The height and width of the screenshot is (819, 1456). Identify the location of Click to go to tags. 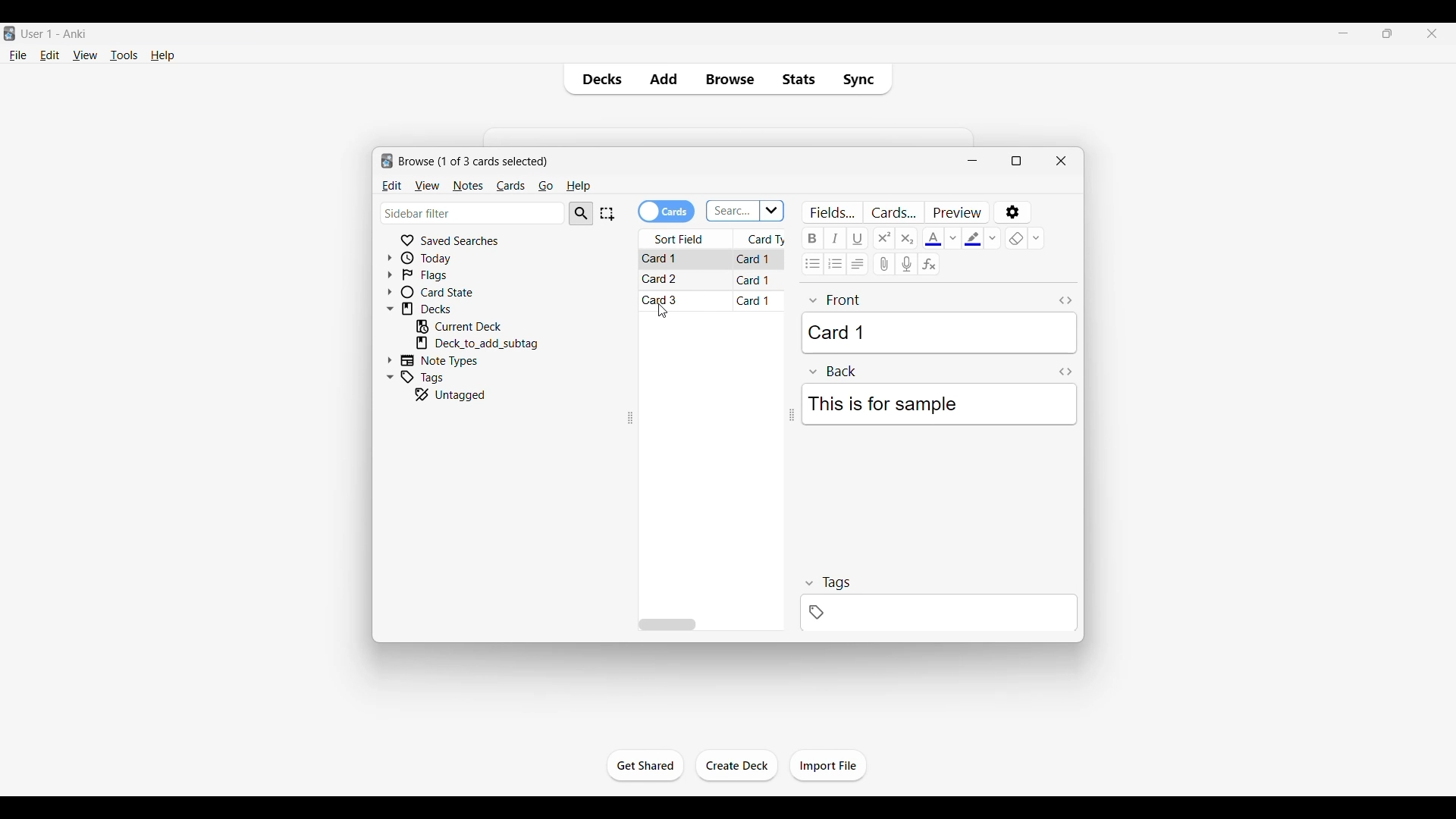
(449, 376).